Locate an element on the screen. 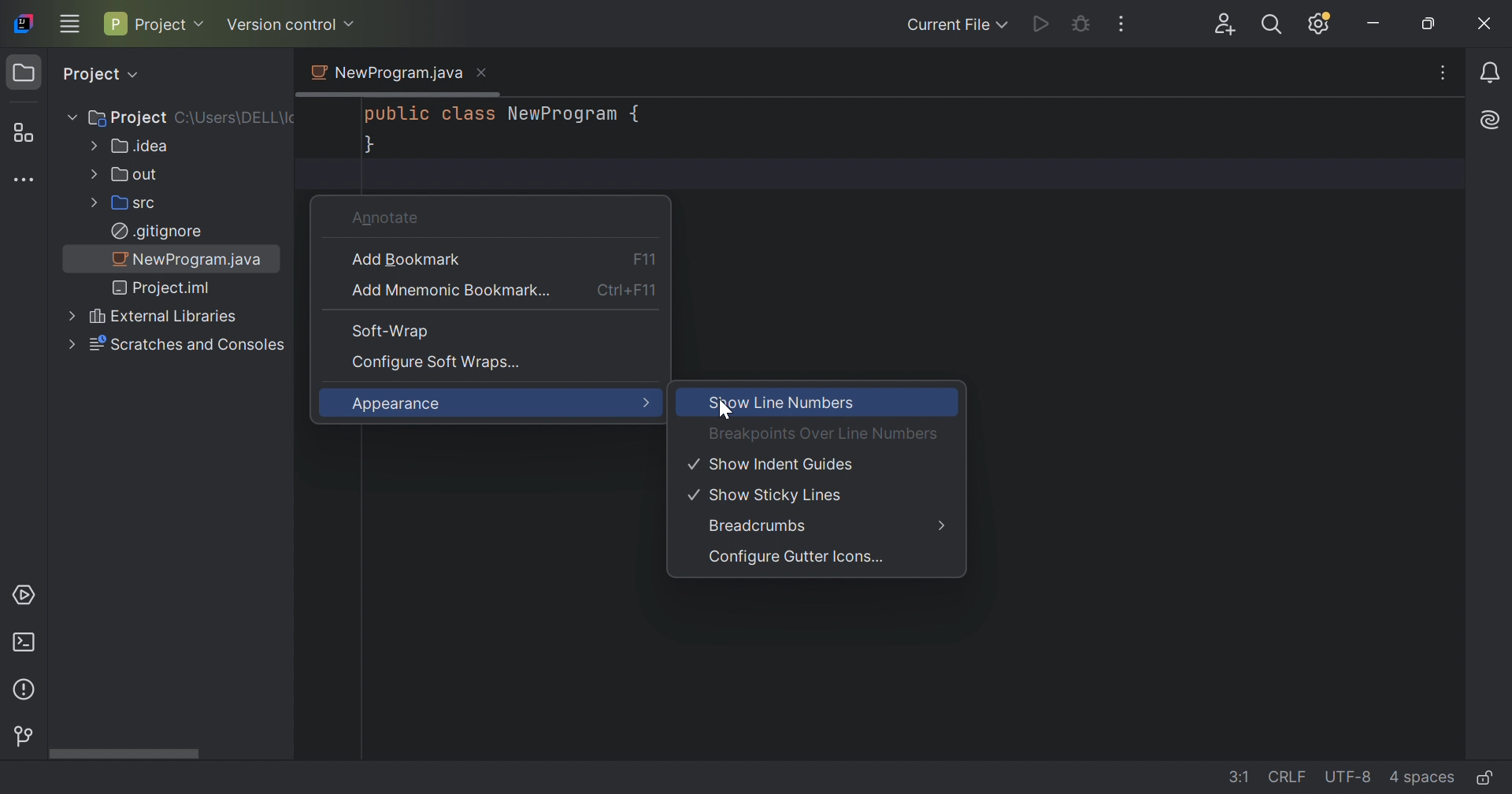 Image resolution: width=1512 pixels, height=794 pixels. Drop Down is located at coordinates (69, 345).